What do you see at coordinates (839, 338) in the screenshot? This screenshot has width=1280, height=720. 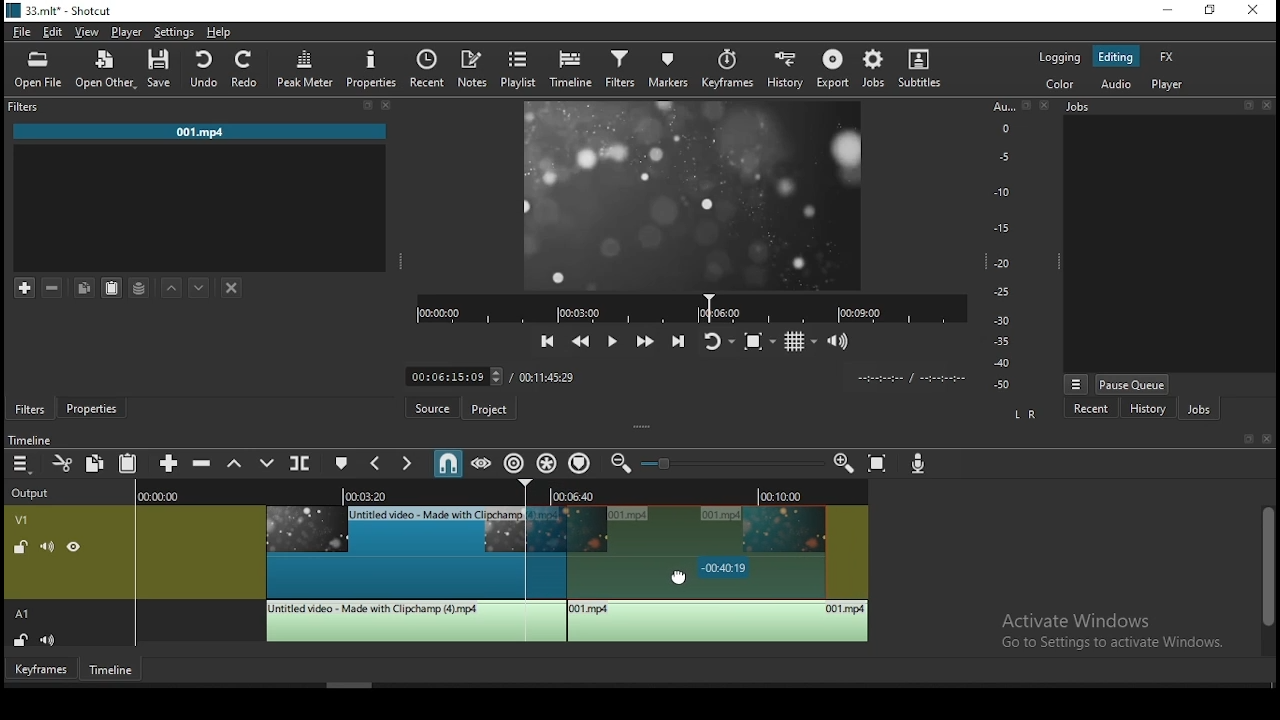 I see `show video volume control` at bounding box center [839, 338].